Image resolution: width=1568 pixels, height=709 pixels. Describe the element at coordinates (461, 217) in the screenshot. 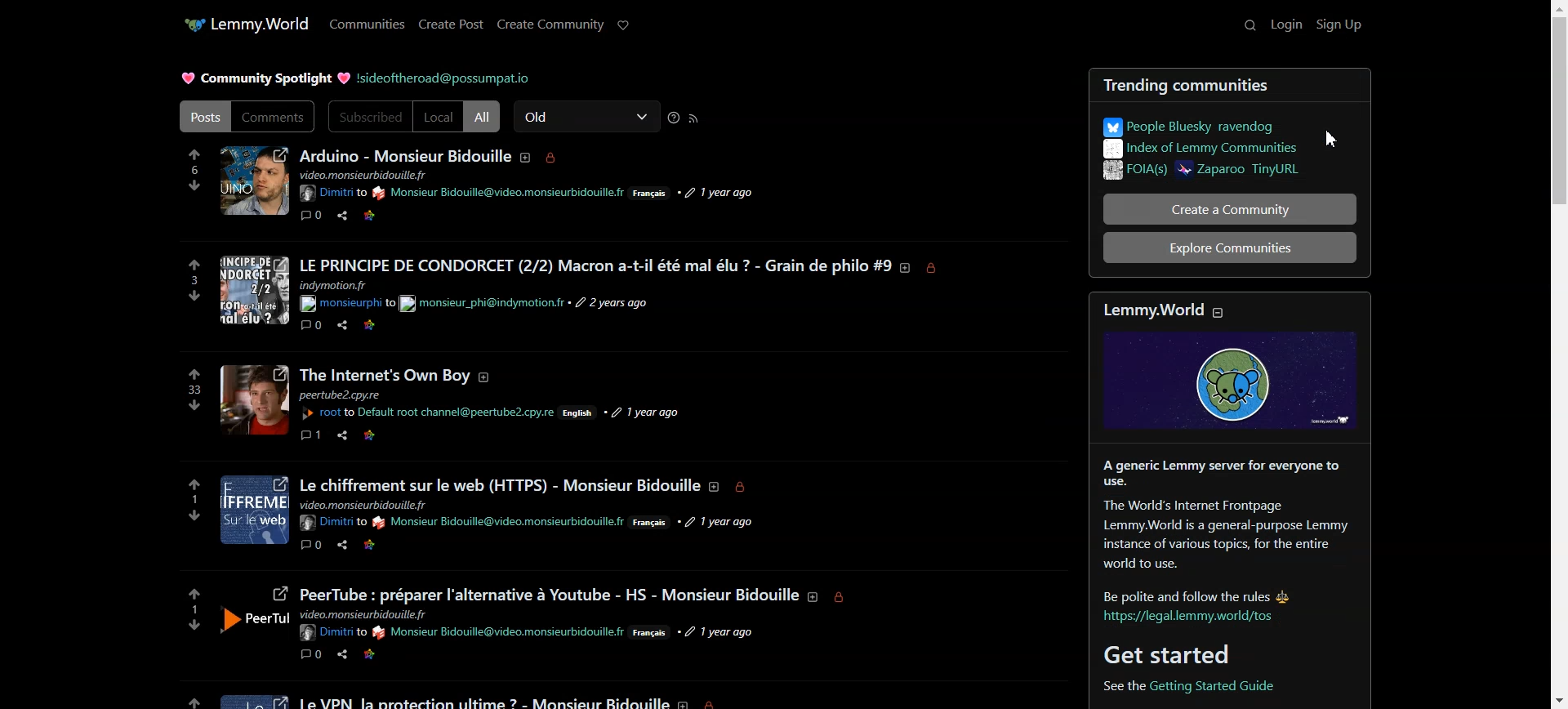

I see `More` at that location.